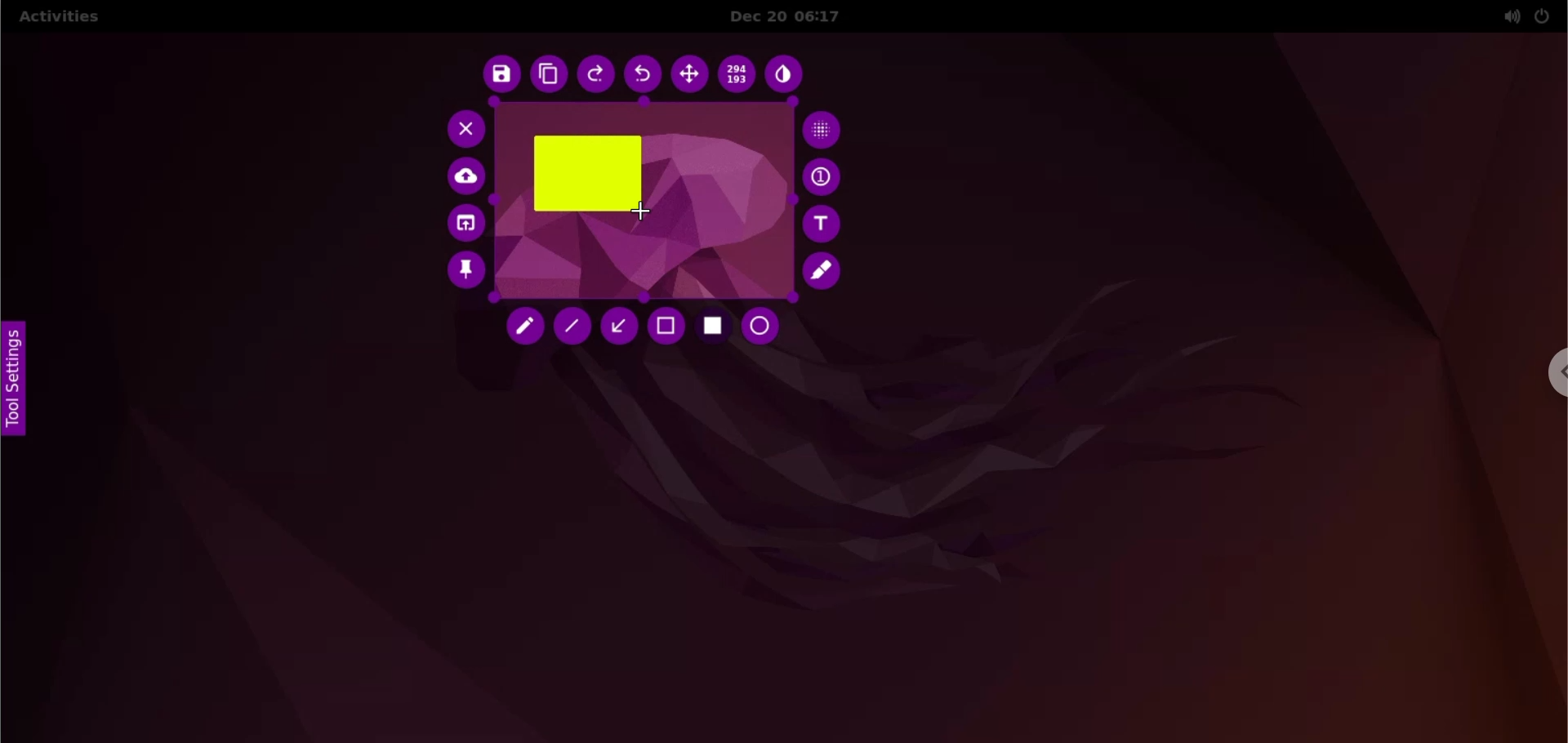  Describe the element at coordinates (572, 327) in the screenshot. I see `line tool` at that location.